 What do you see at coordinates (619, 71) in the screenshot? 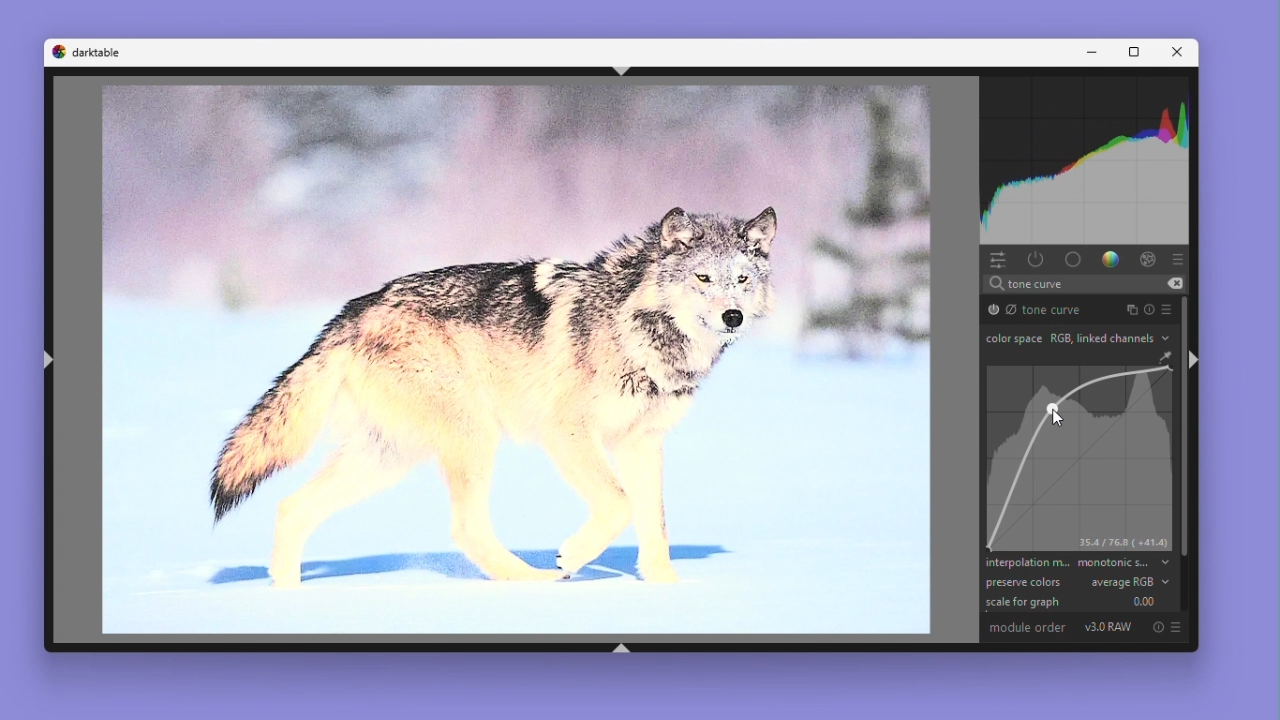
I see `shift+ctrl+t` at bounding box center [619, 71].